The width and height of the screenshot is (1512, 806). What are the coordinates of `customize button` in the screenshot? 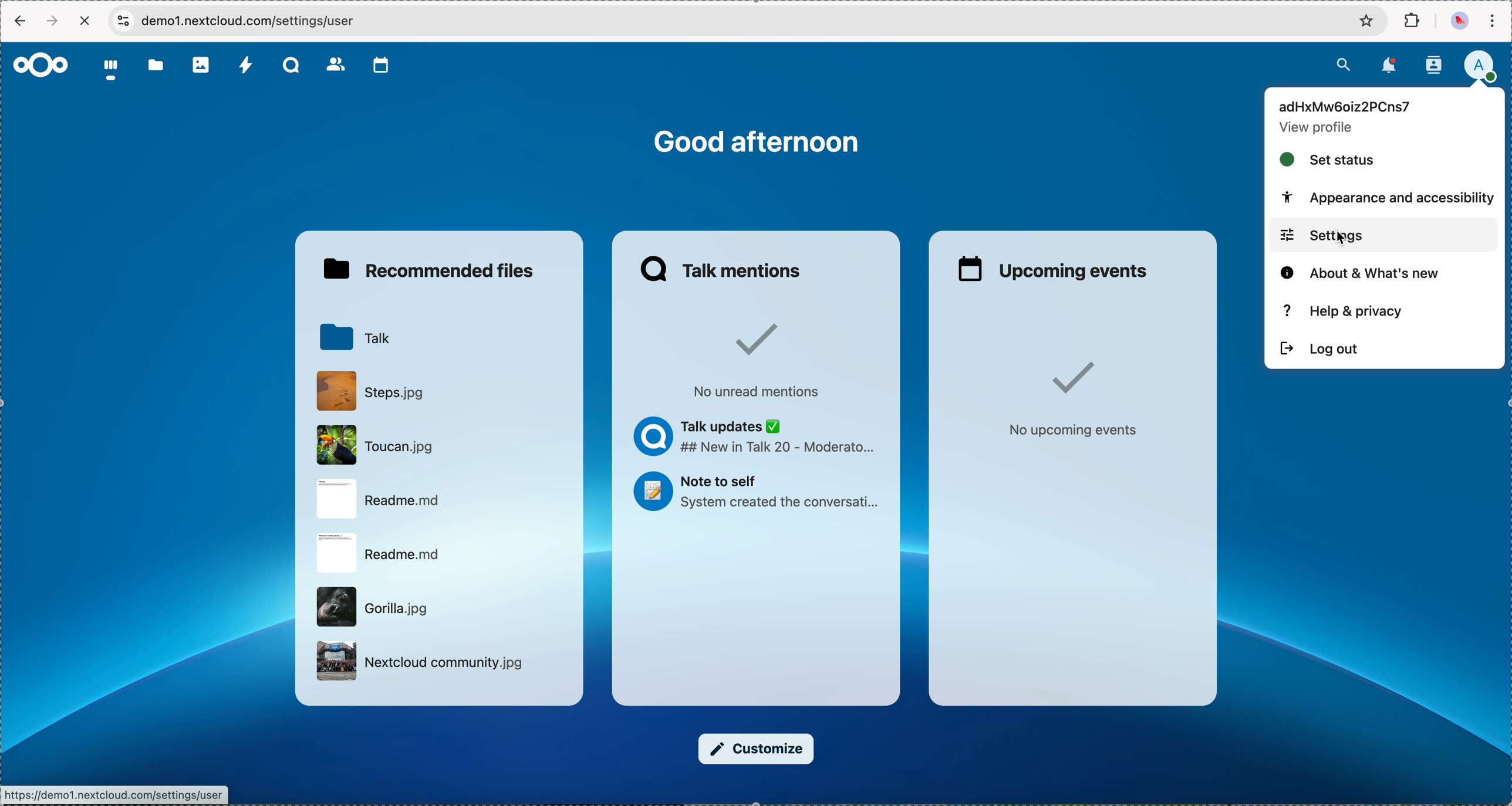 It's located at (757, 749).